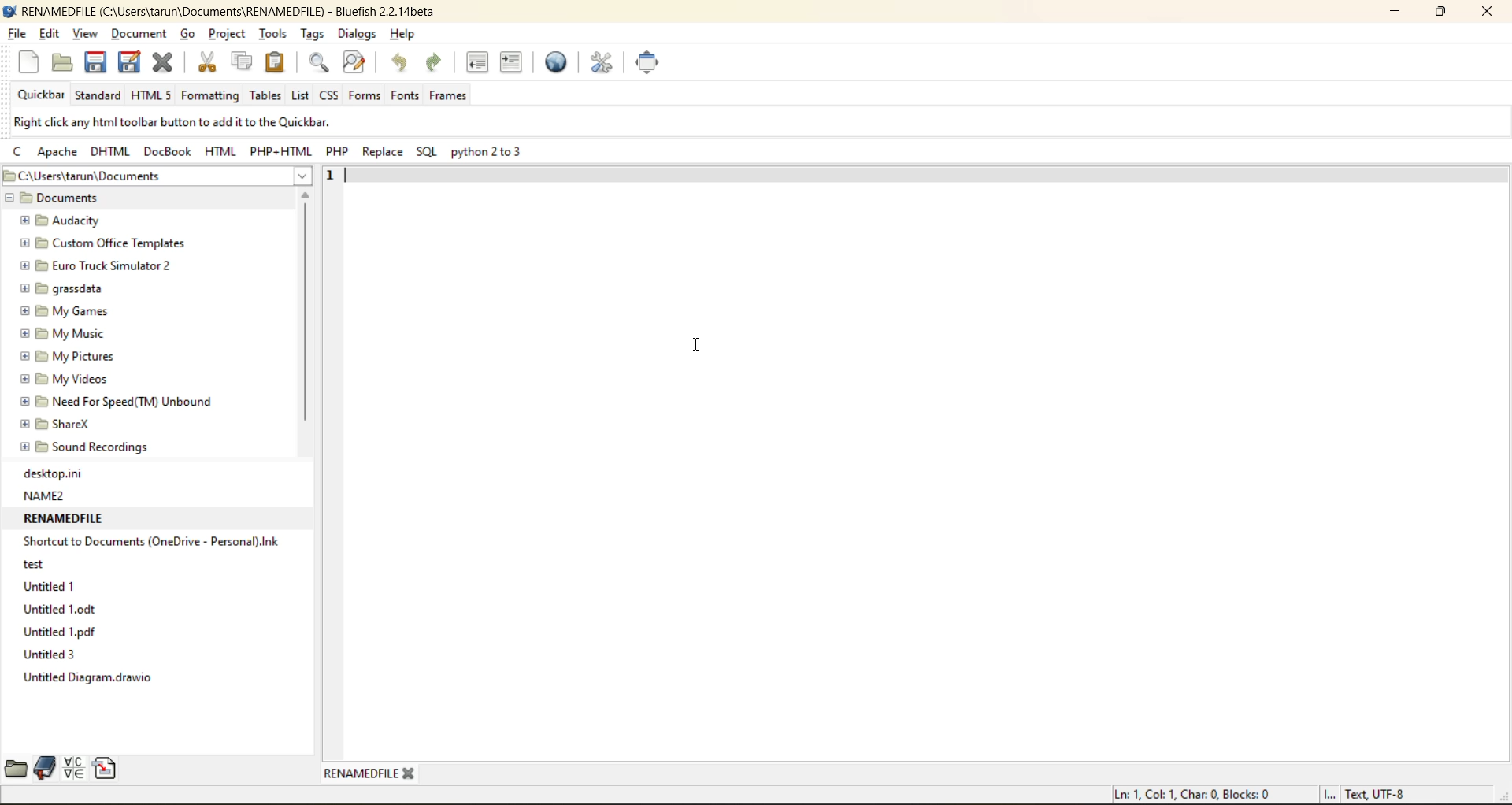  Describe the element at coordinates (169, 150) in the screenshot. I see `docbook` at that location.